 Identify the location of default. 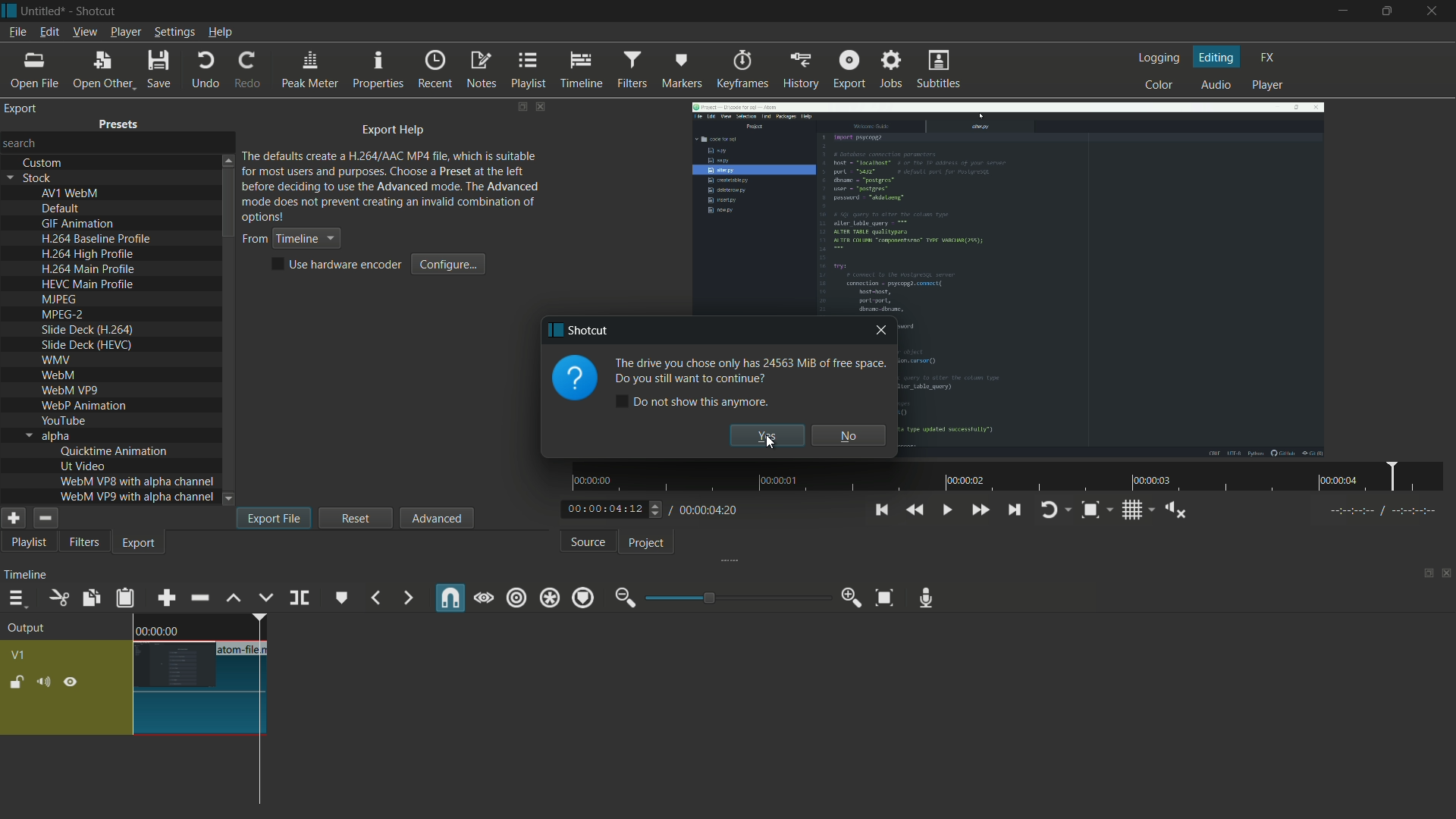
(61, 209).